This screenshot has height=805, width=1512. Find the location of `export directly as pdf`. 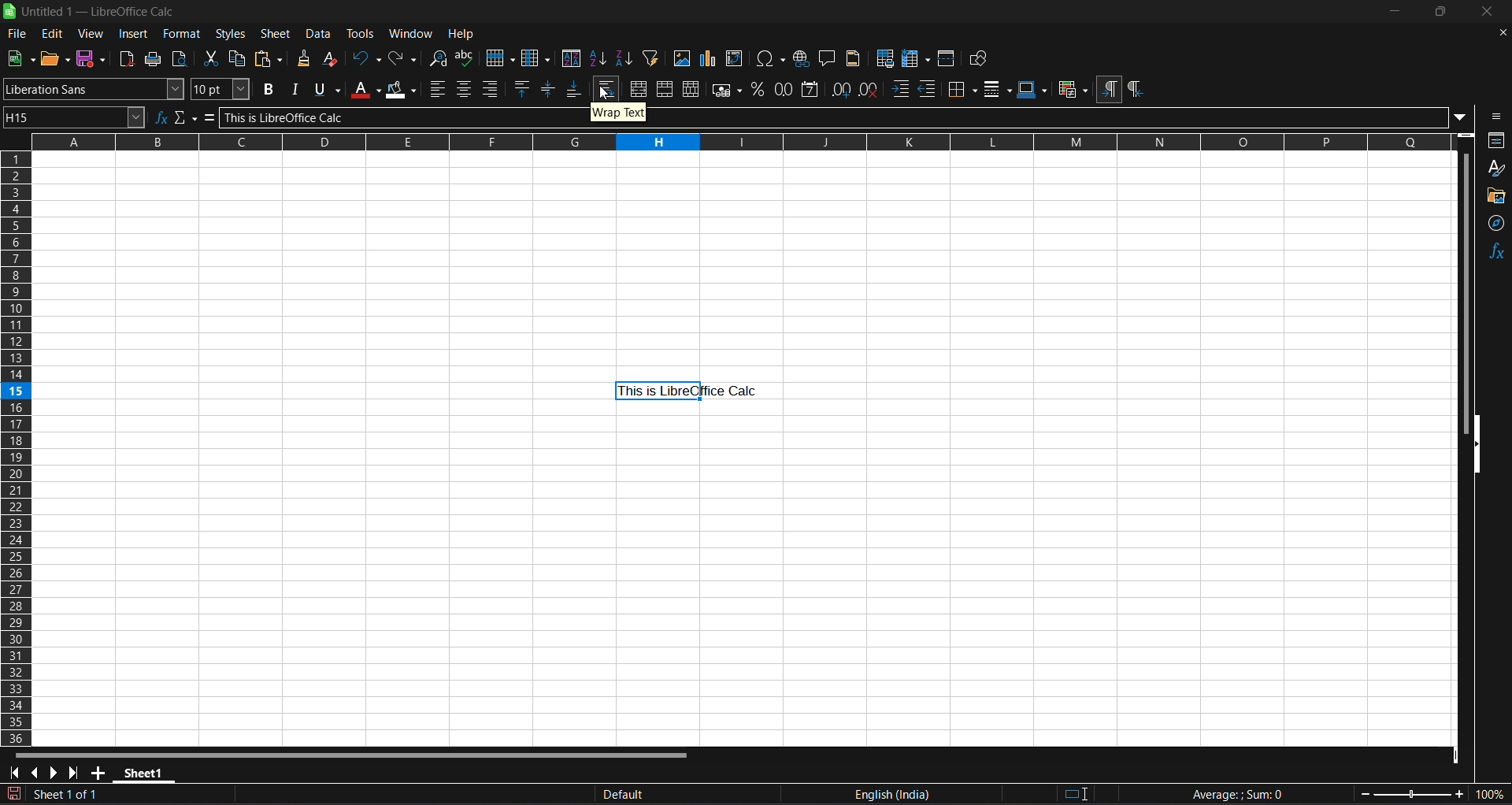

export directly as pdf is located at coordinates (128, 59).